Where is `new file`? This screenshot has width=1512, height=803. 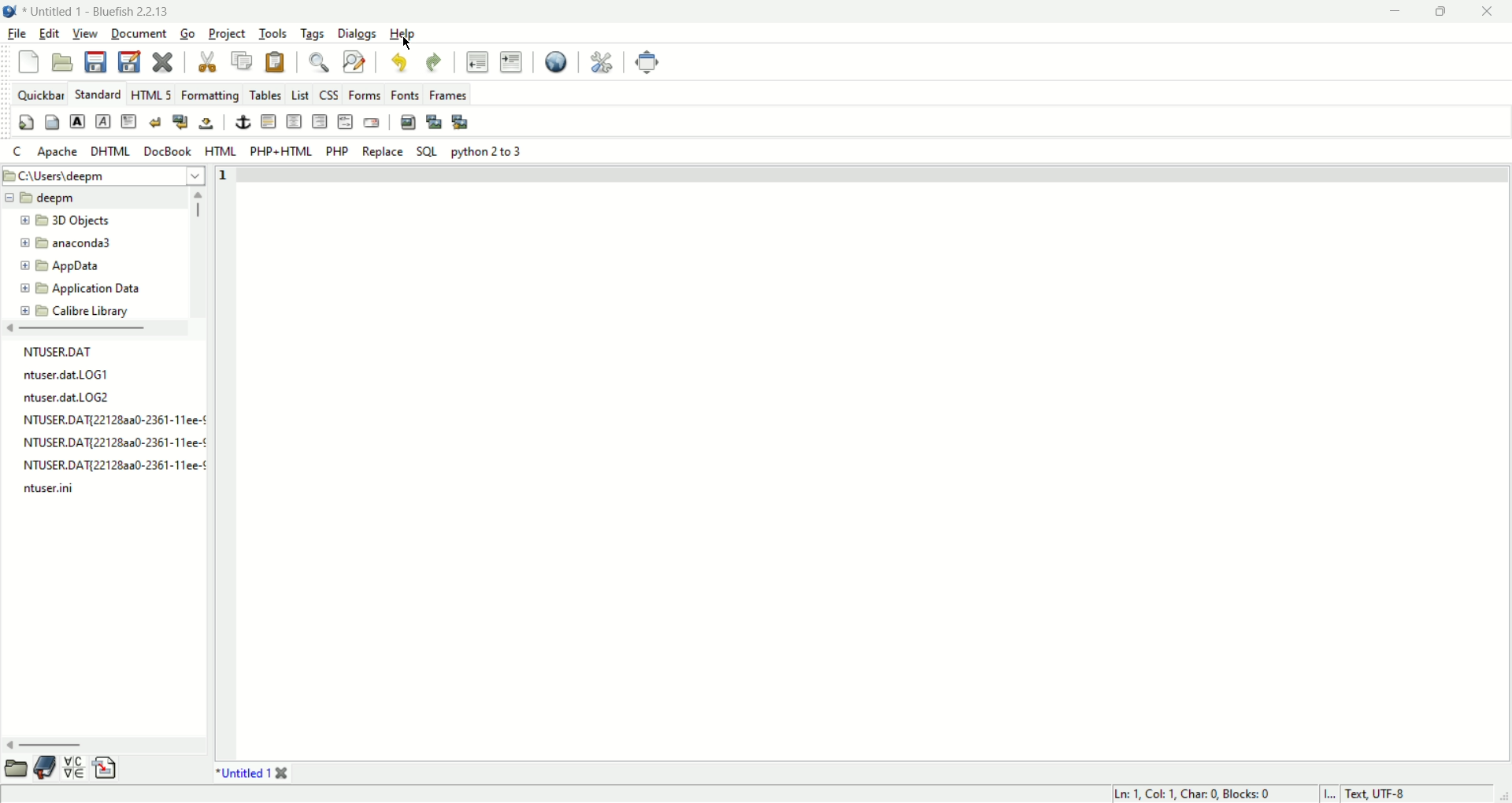 new file is located at coordinates (29, 61).